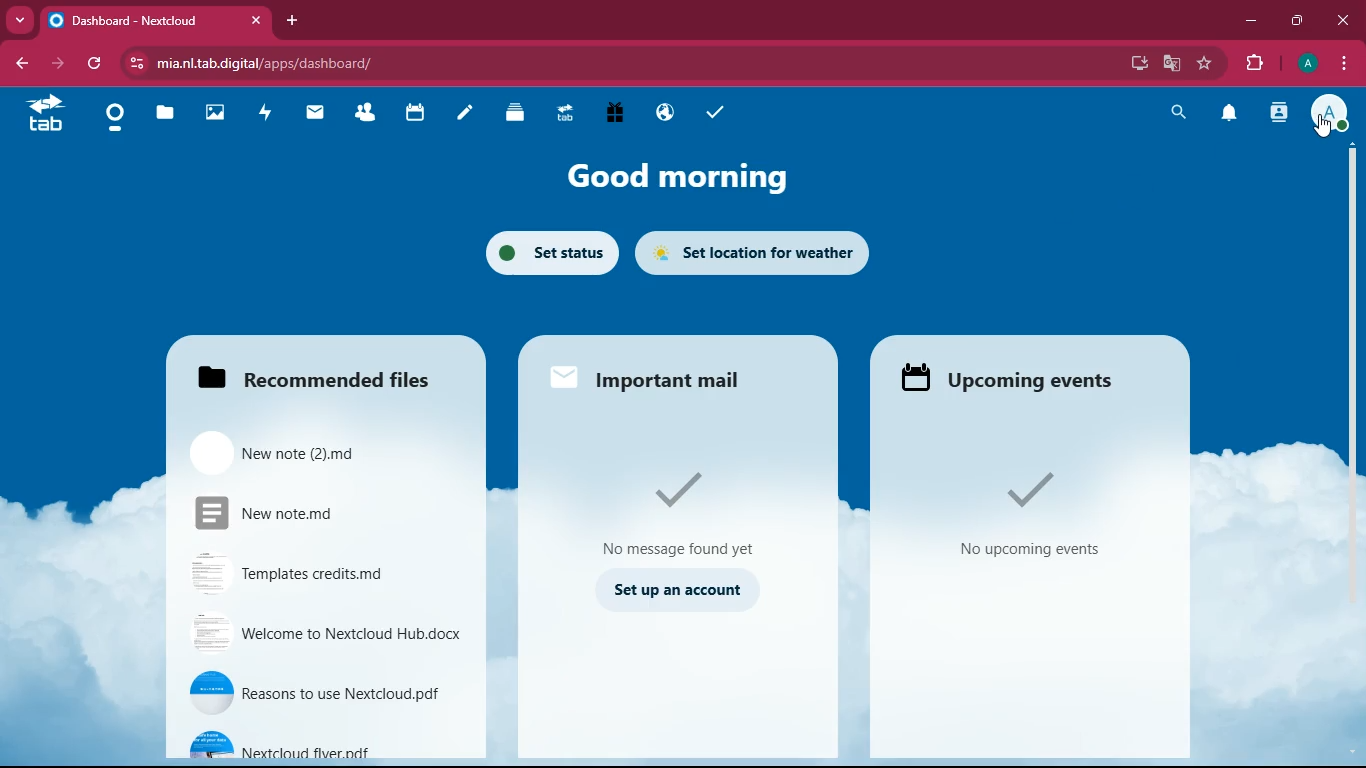 The width and height of the screenshot is (1366, 768). What do you see at coordinates (329, 452) in the screenshot?
I see `New note (2)` at bounding box center [329, 452].